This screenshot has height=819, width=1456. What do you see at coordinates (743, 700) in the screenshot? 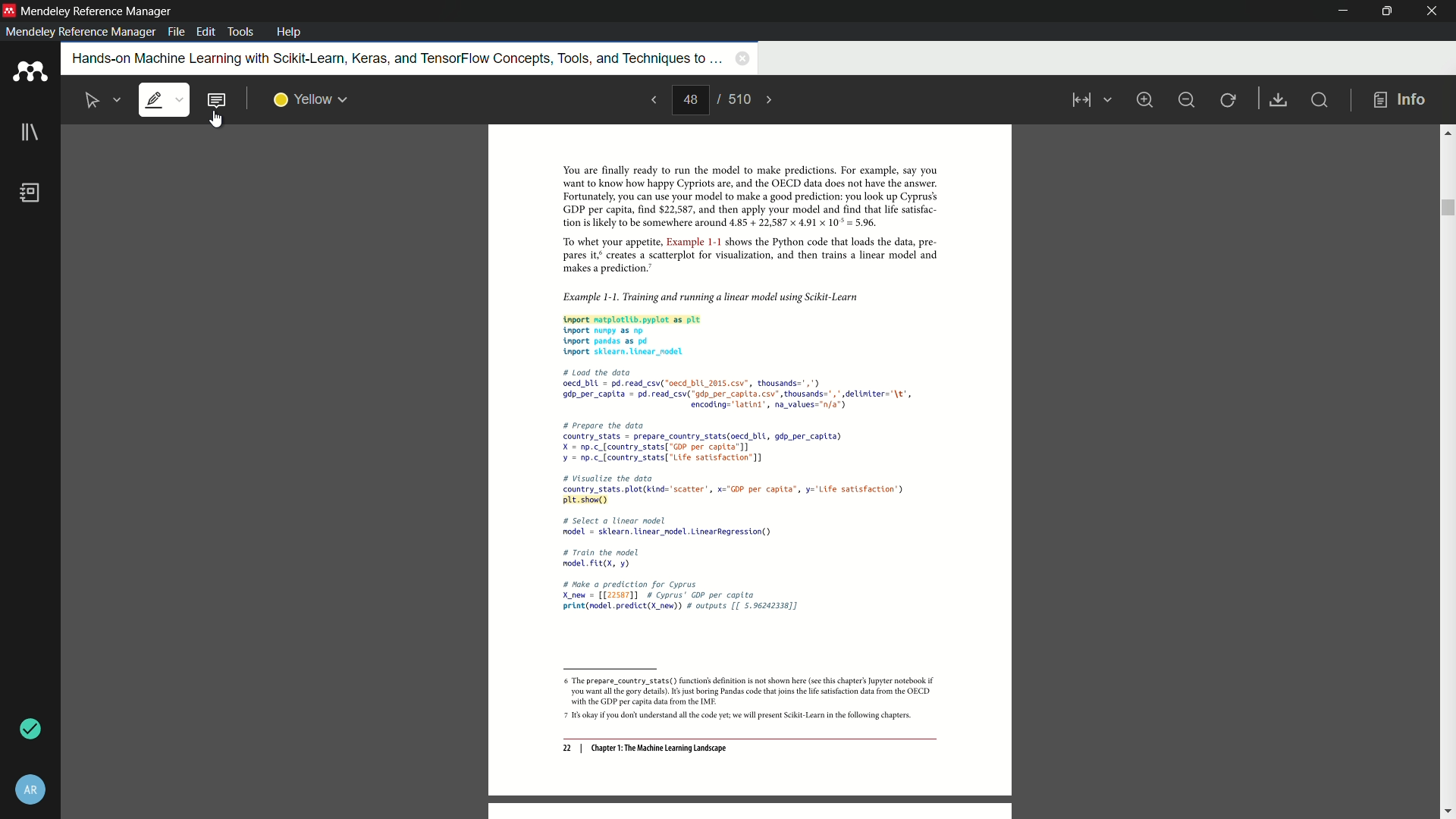
I see `6 The prepare_country_stats() function's definition is not shown here (see this chapter's Jupyter notebook if
‘you want al th gory details). 6s just boring Pandas code that joins th ie satisfaction data from the OECD
‘with the GDP per capita dta from the IMF:

7 1s okay you dont understand all the code yet we will present Scikit-Lear inthe following chapters.` at bounding box center [743, 700].